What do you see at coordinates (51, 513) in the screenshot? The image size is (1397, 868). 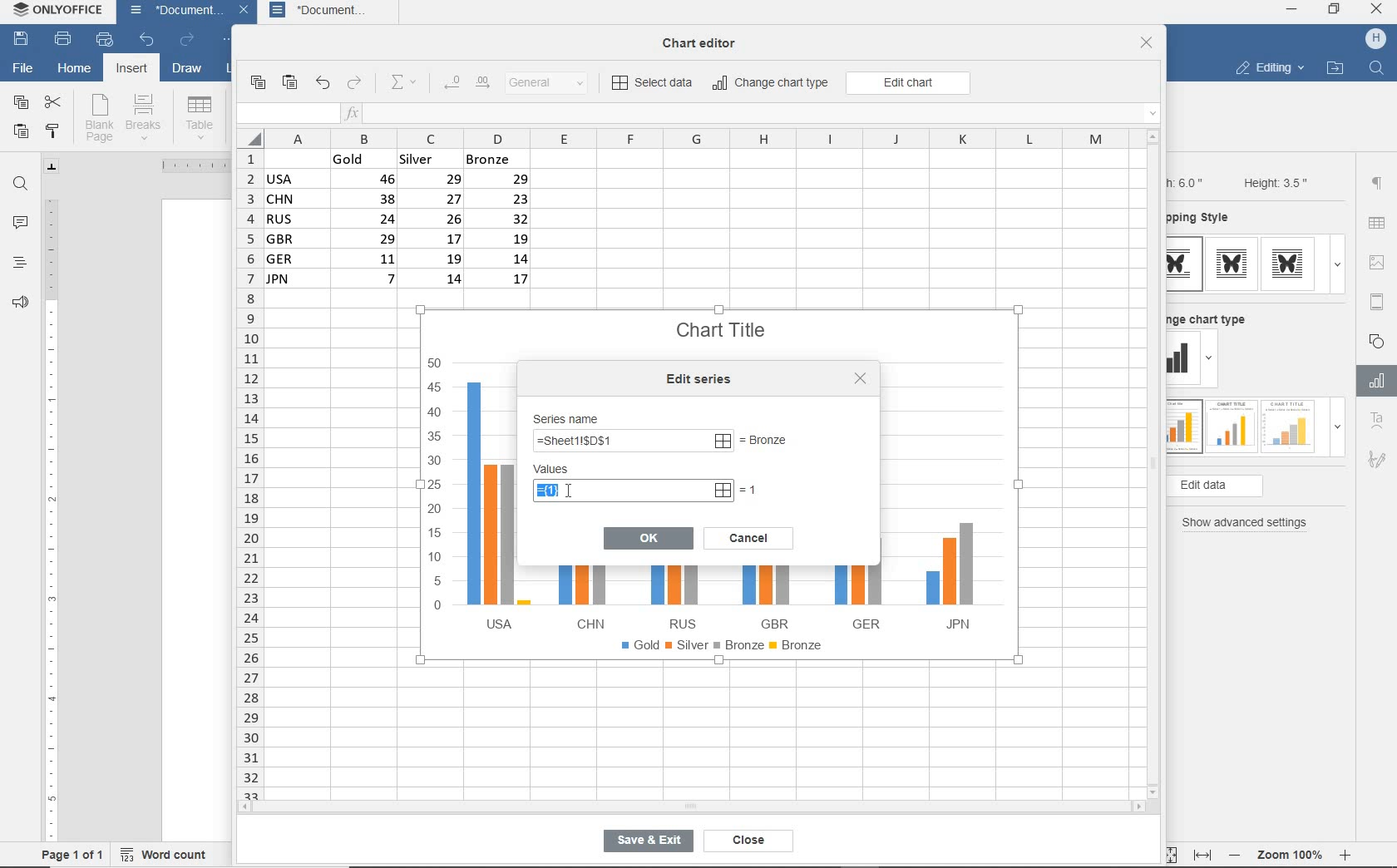 I see `ruler` at bounding box center [51, 513].